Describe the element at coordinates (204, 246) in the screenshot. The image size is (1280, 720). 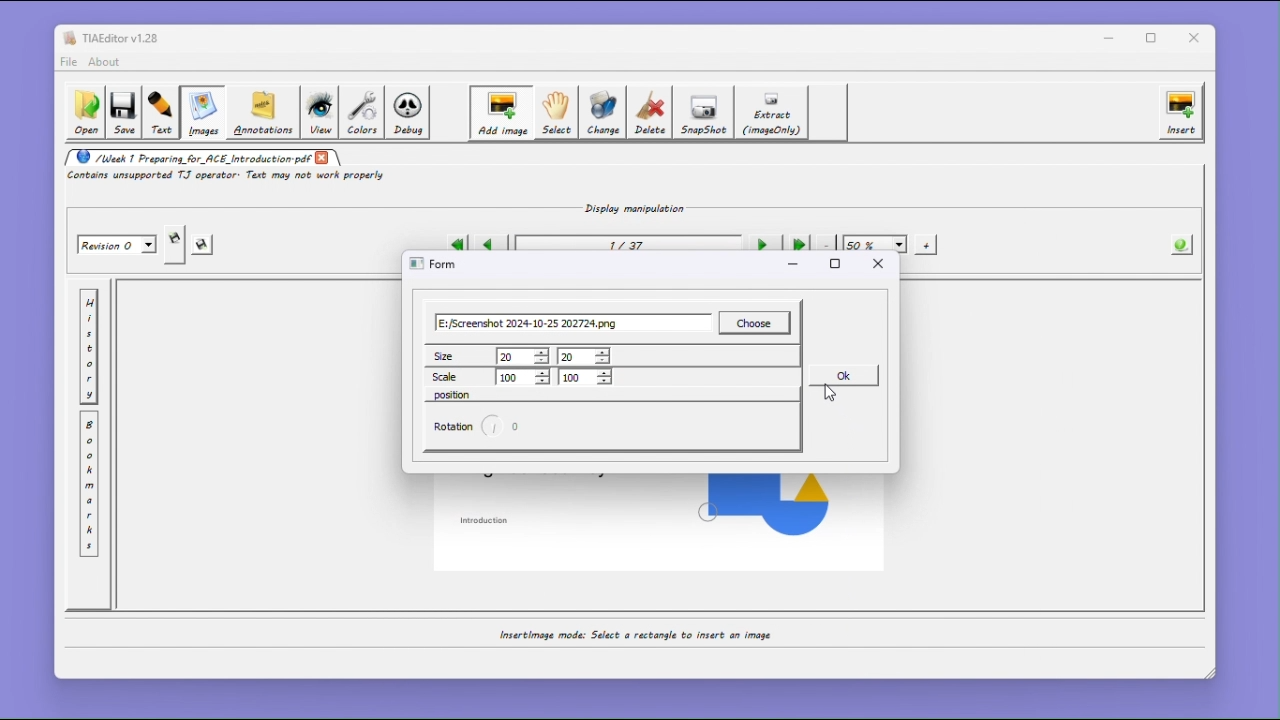
I see `save` at that location.